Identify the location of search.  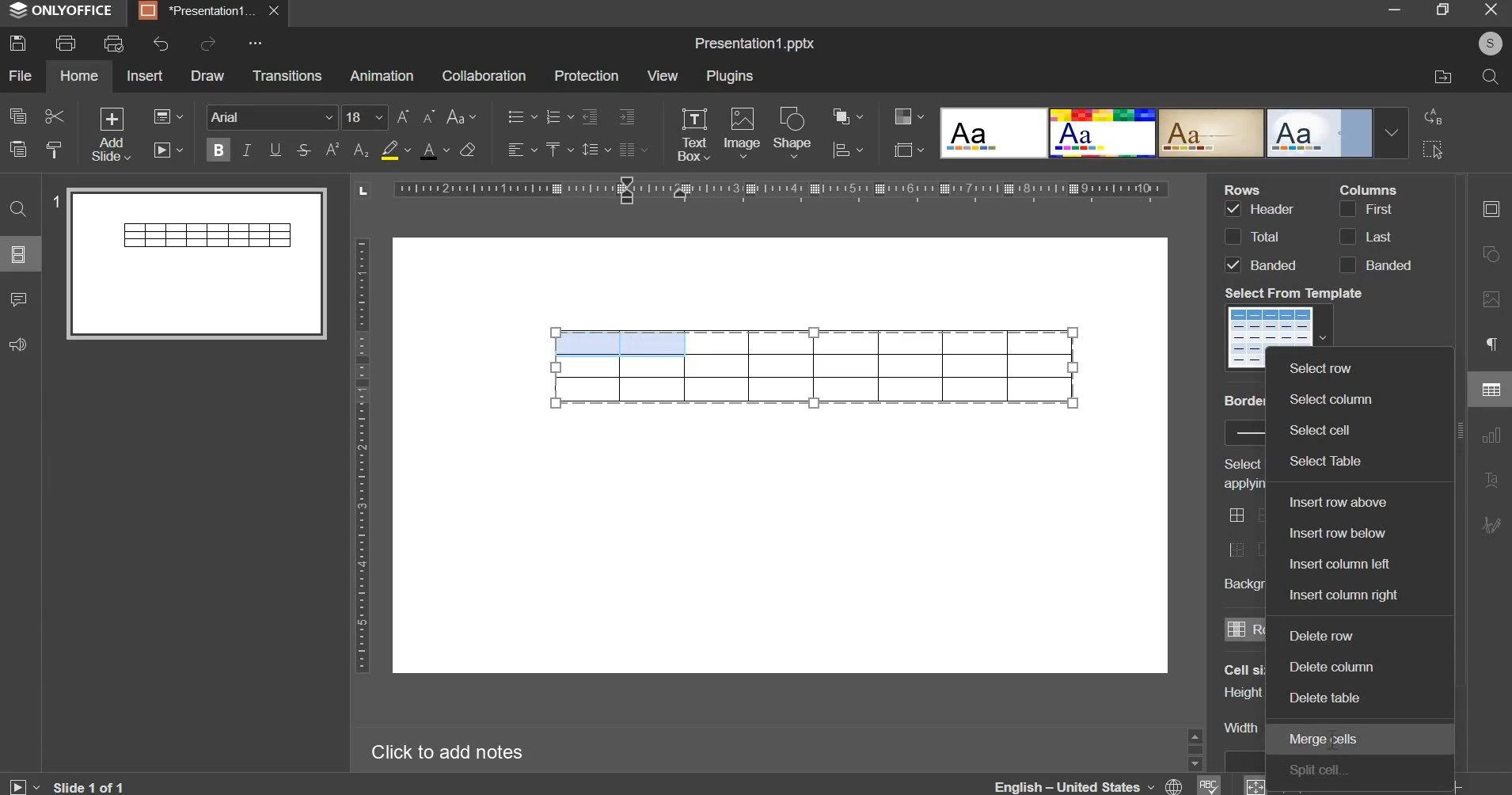
(1489, 77).